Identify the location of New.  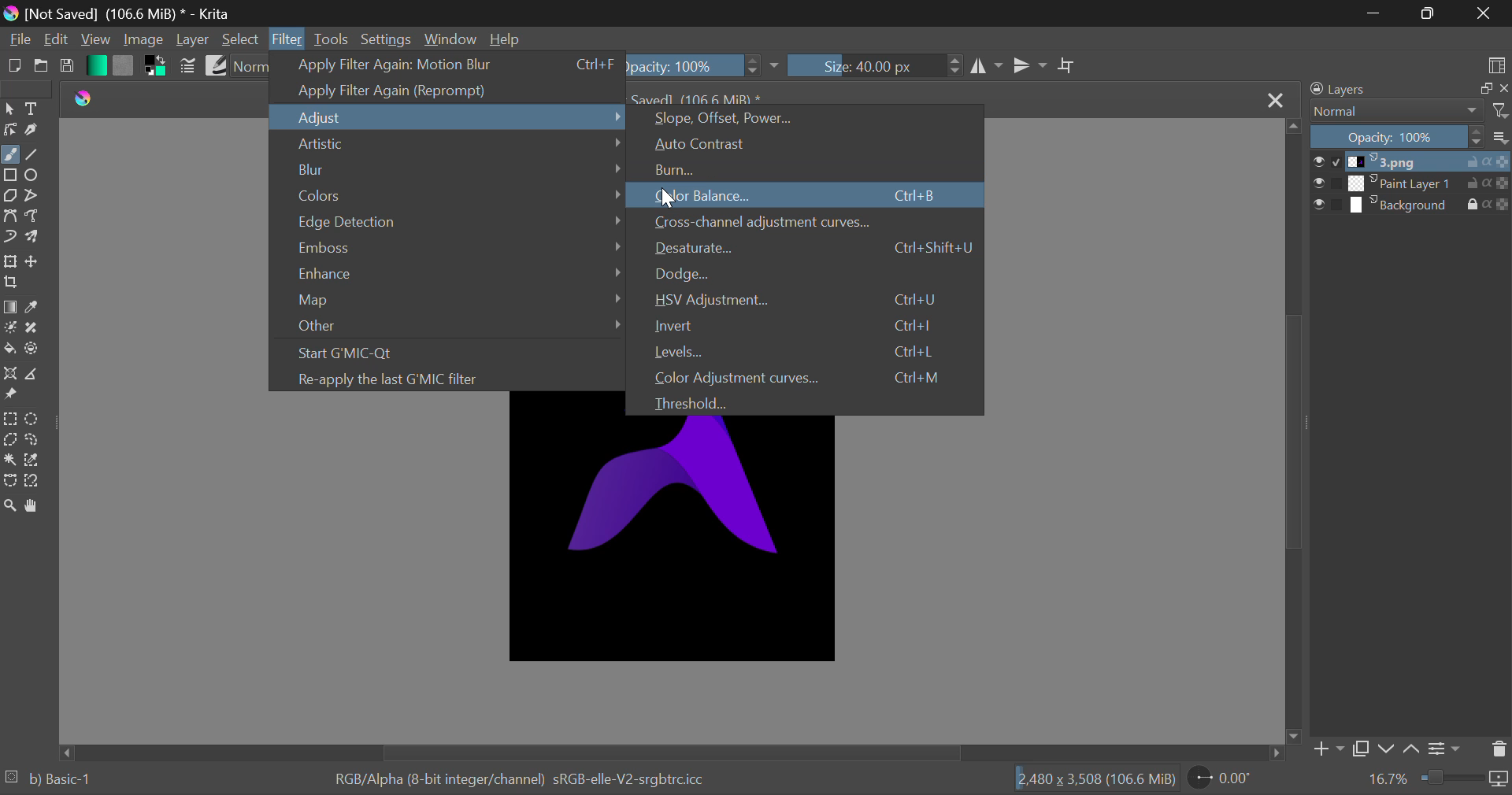
(14, 68).